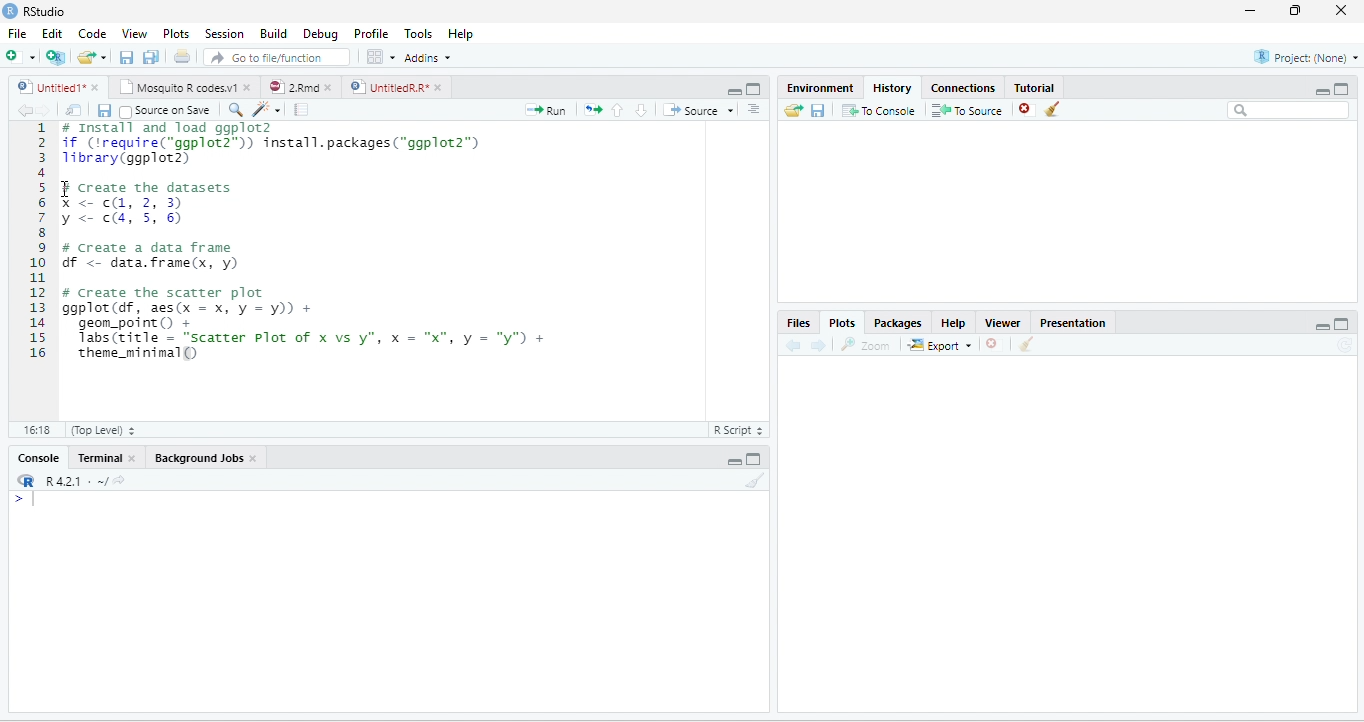 This screenshot has height=722, width=1364. What do you see at coordinates (866, 344) in the screenshot?
I see `zoom` at bounding box center [866, 344].